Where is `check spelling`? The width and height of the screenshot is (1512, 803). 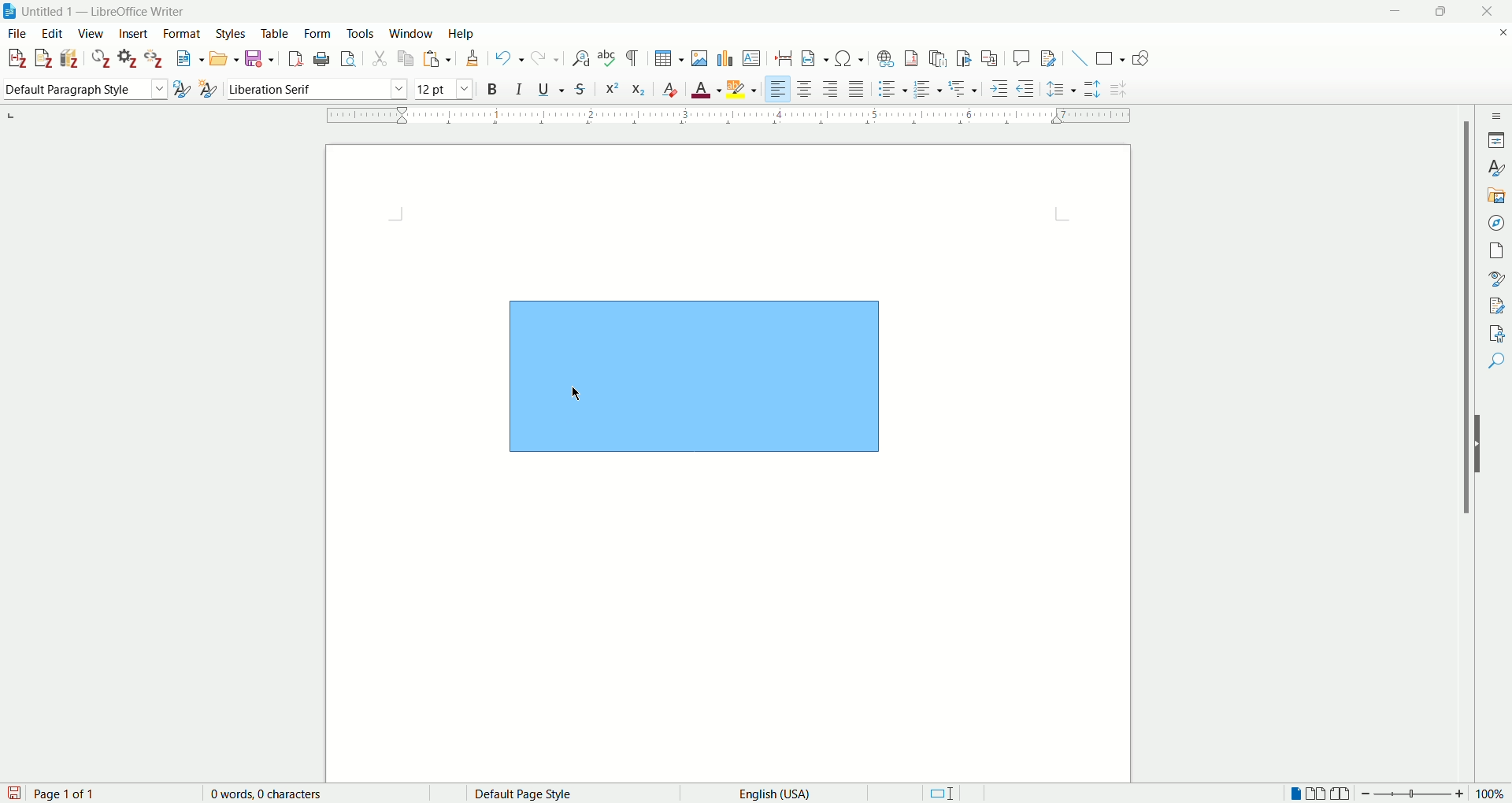 check spelling is located at coordinates (609, 58).